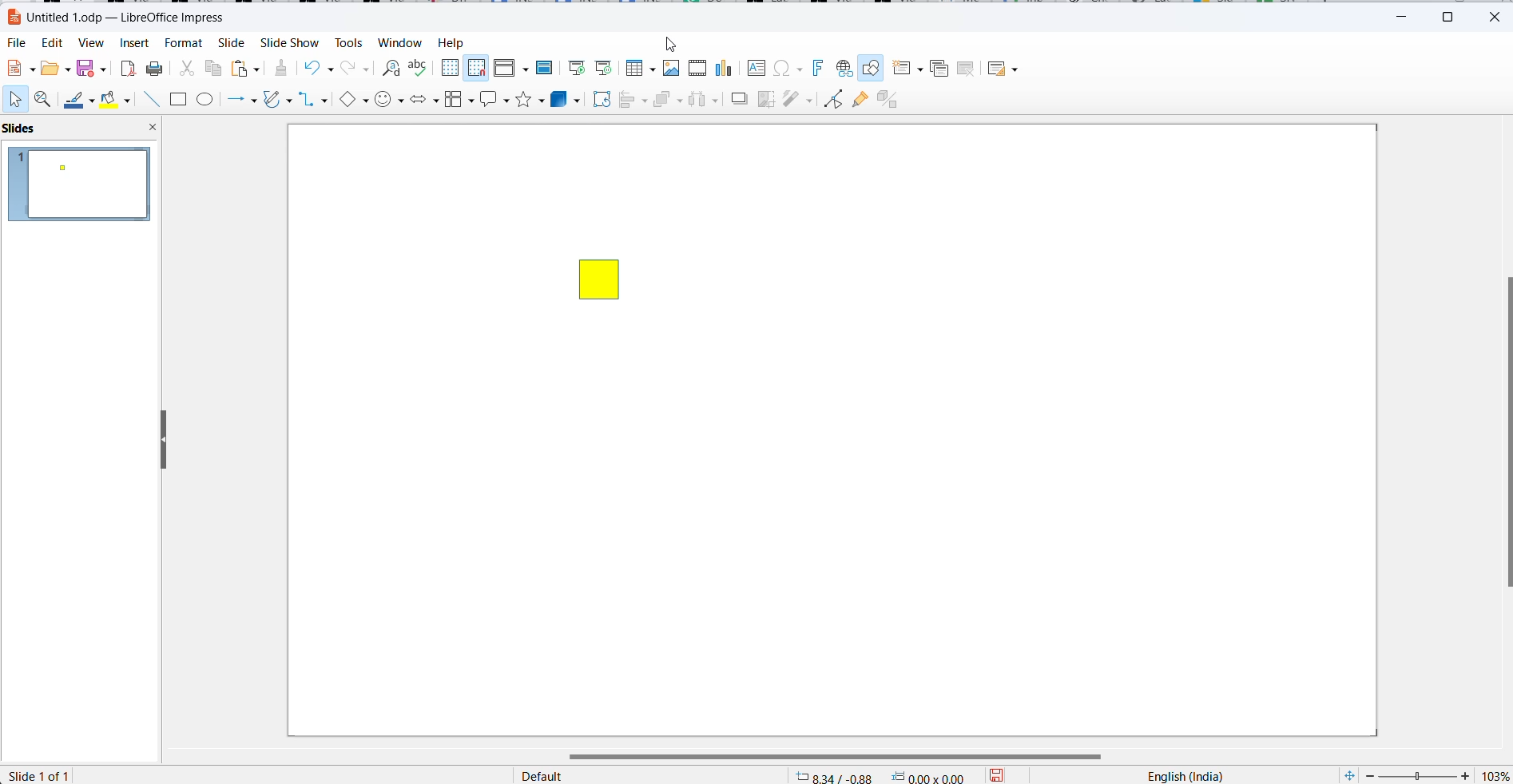 The height and width of the screenshot is (784, 1513). What do you see at coordinates (400, 44) in the screenshot?
I see `Window` at bounding box center [400, 44].